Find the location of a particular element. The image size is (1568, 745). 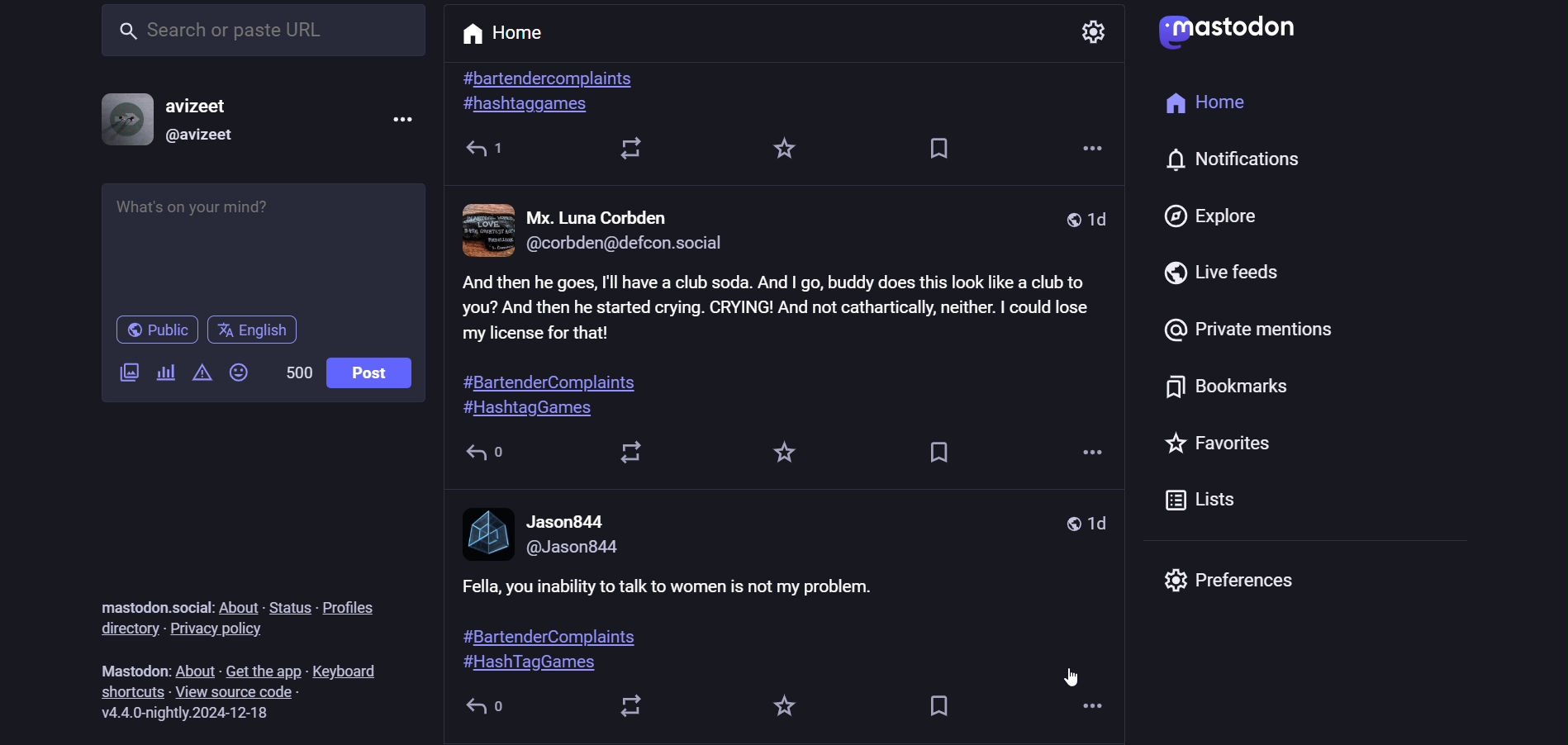

menu is located at coordinates (404, 121).